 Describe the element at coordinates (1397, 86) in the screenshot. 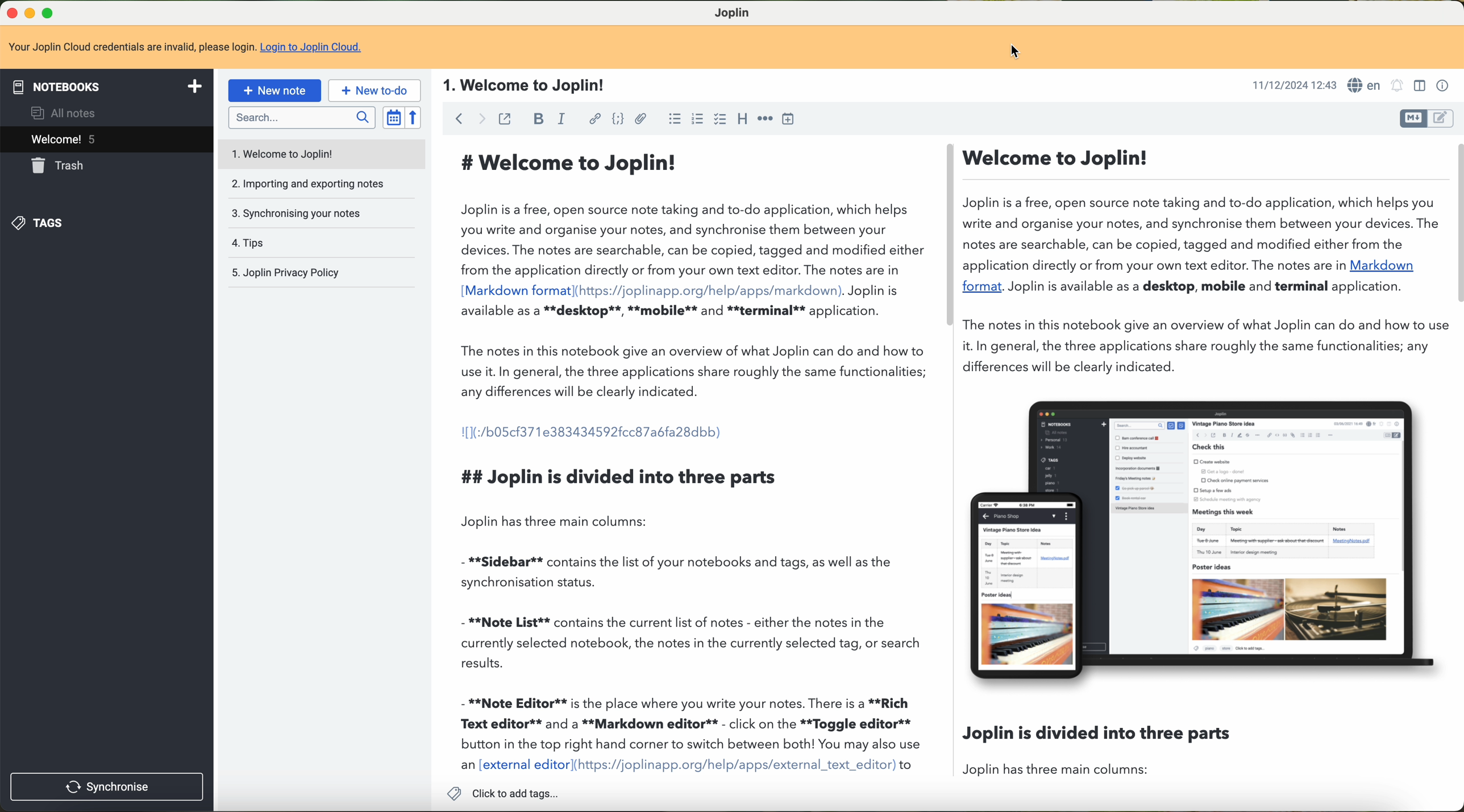

I see `set alarm` at that location.